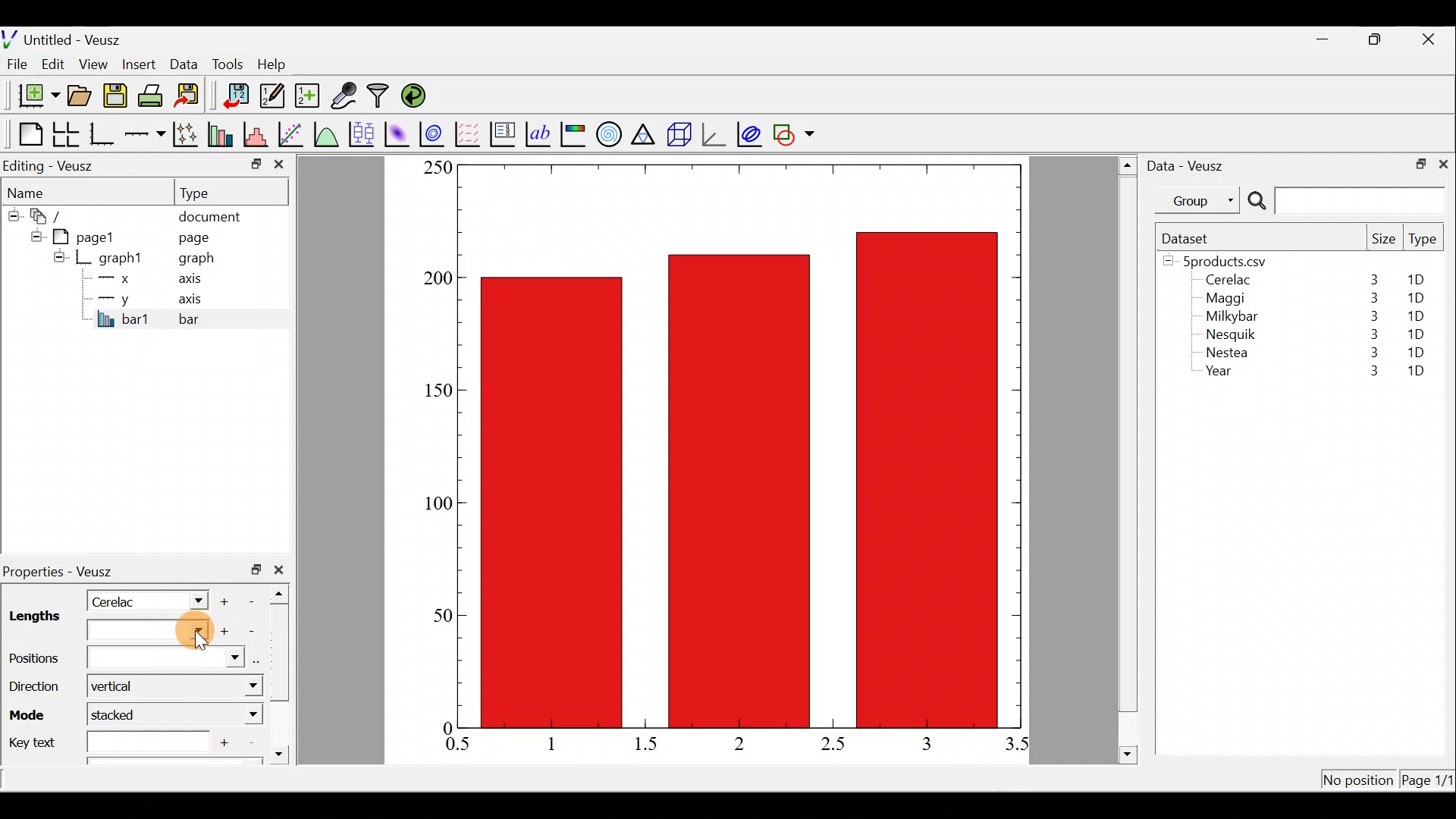 This screenshot has width=1456, height=819. I want to click on 1D, so click(1421, 280).